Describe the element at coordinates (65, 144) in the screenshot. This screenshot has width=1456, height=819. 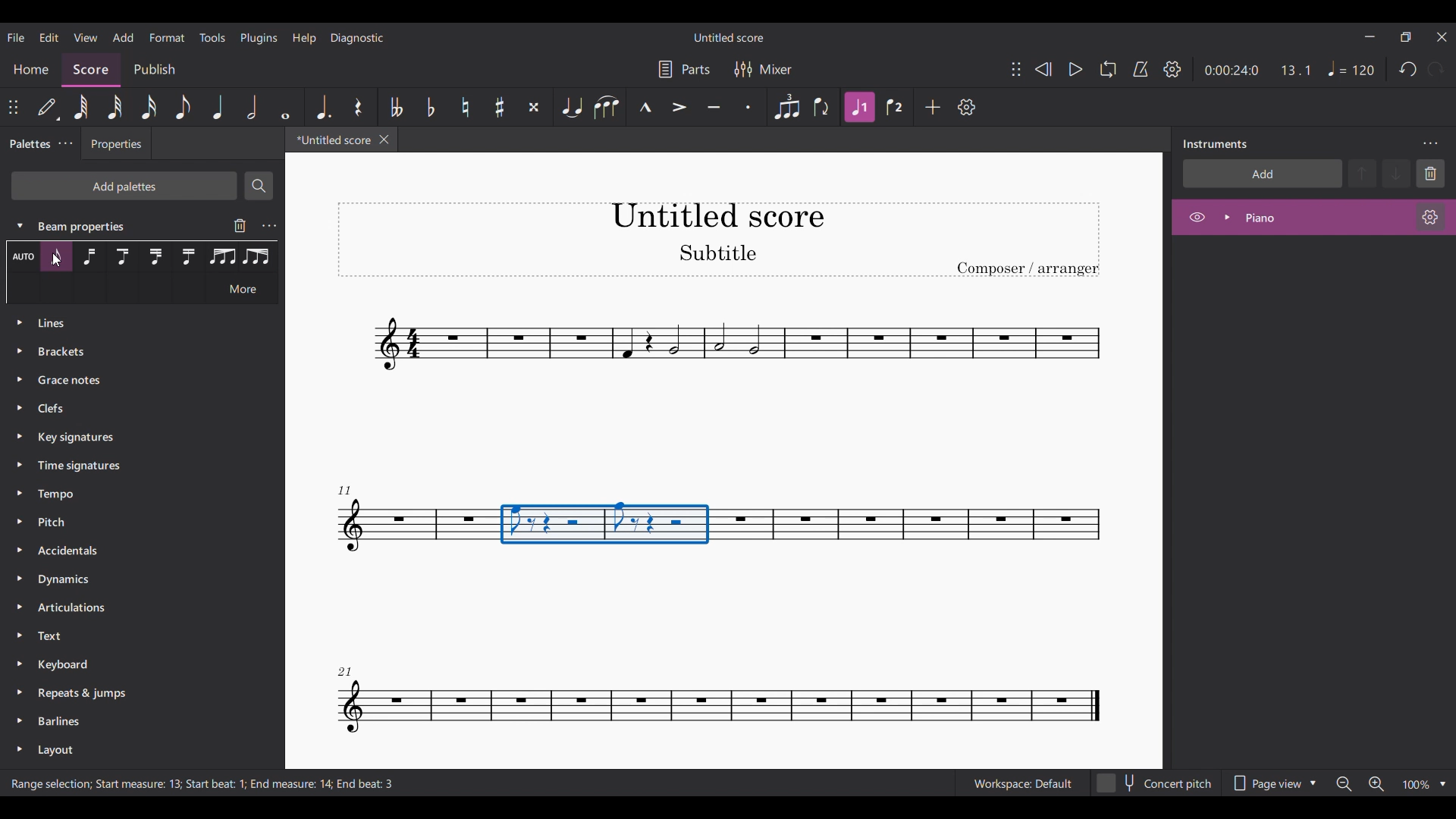
I see `More settings` at that location.